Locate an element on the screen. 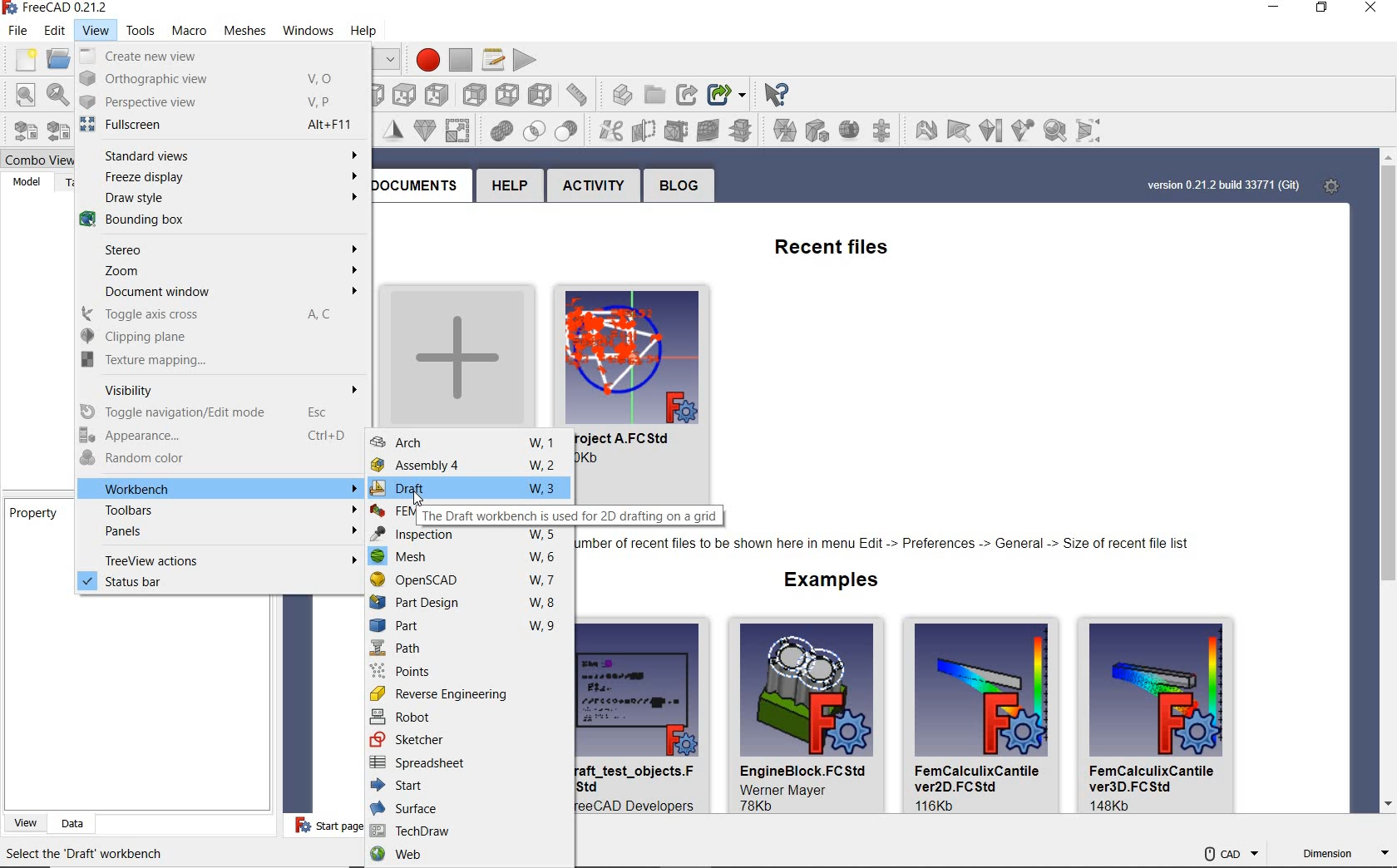  rear is located at coordinates (439, 93).